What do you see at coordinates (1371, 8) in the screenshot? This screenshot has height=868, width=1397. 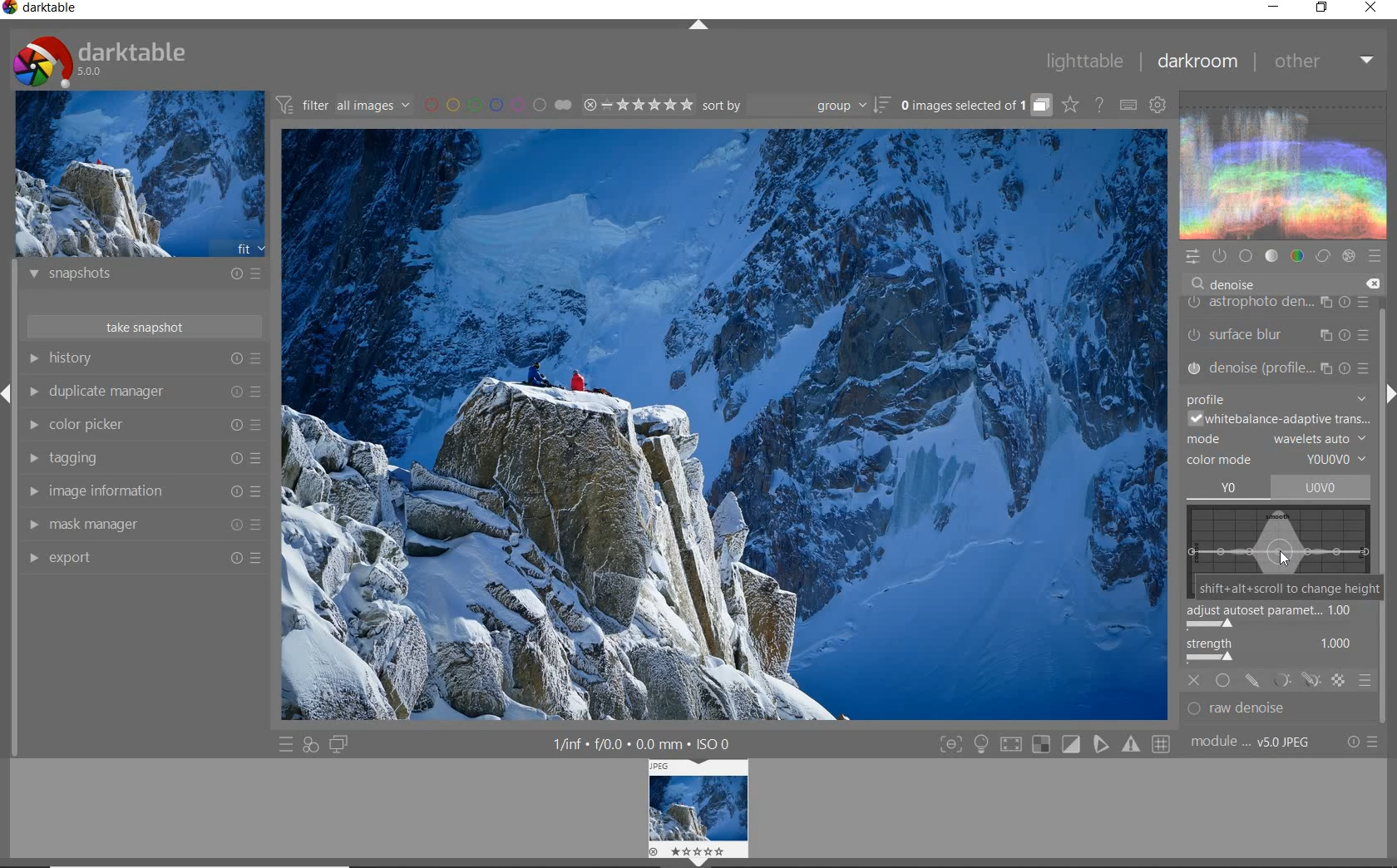 I see `close` at bounding box center [1371, 8].